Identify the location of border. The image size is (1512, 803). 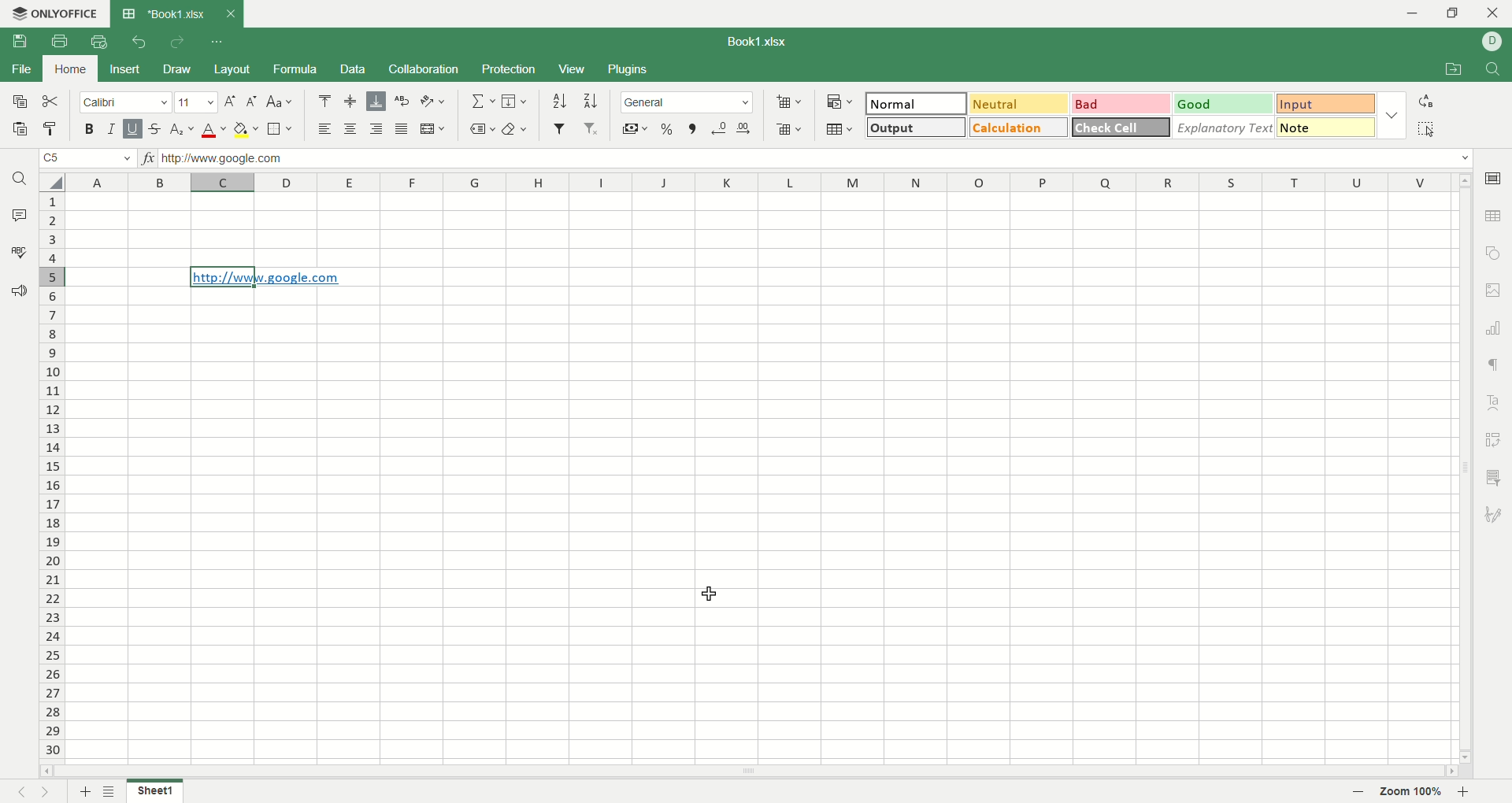
(280, 130).